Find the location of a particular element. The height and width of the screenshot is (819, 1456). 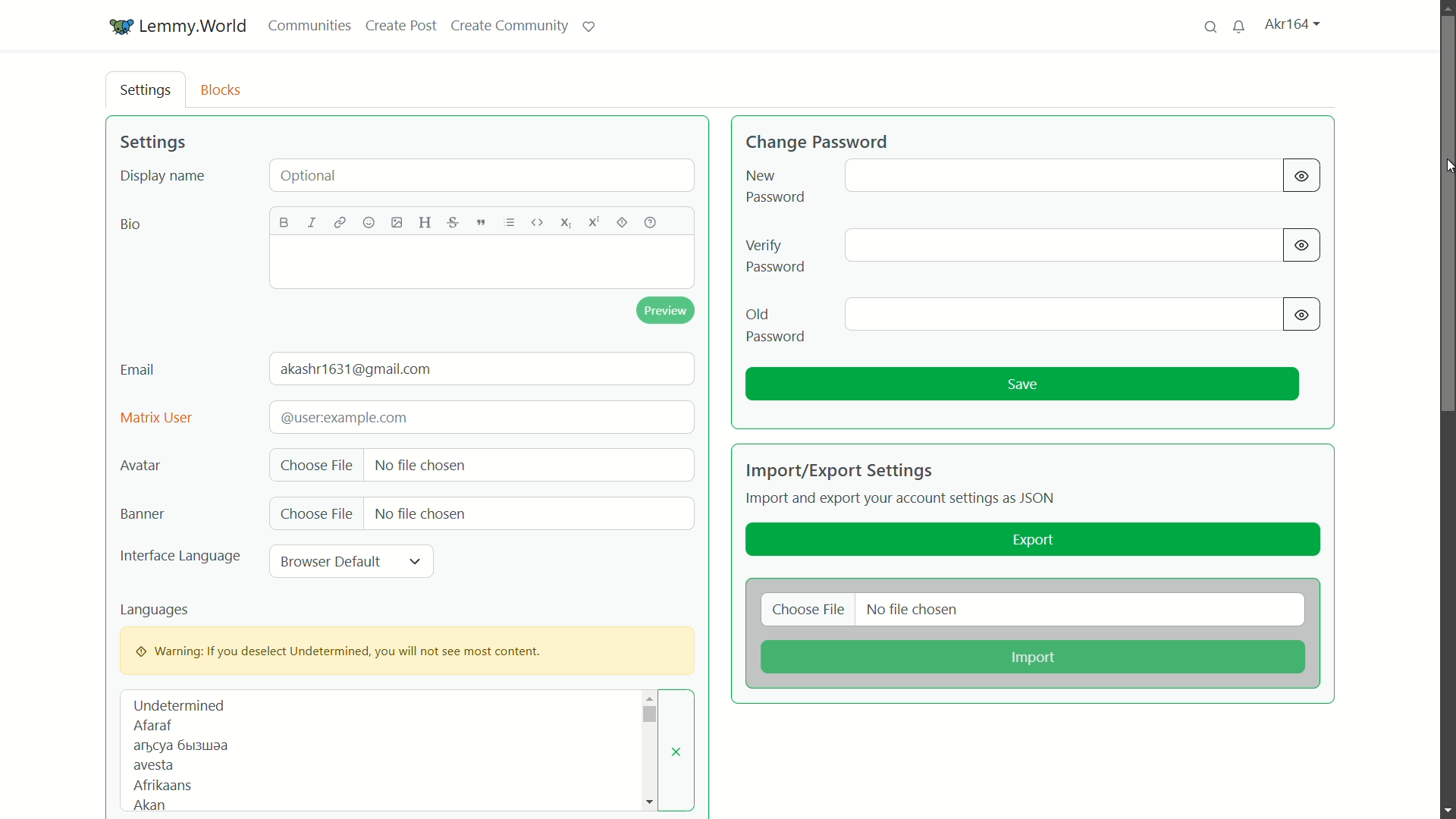

warning pop is located at coordinates (408, 650).